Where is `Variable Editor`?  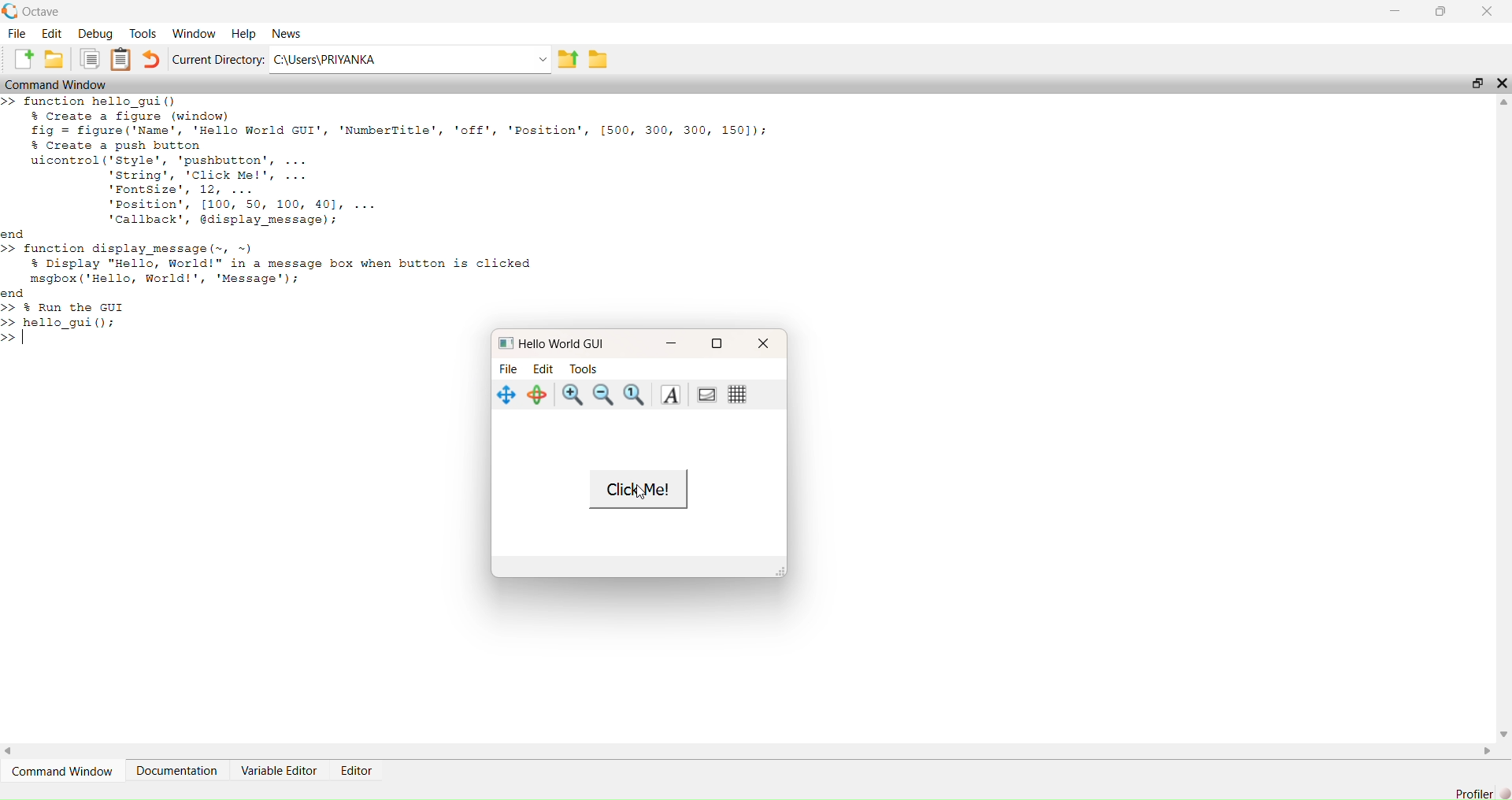 Variable Editor is located at coordinates (280, 771).